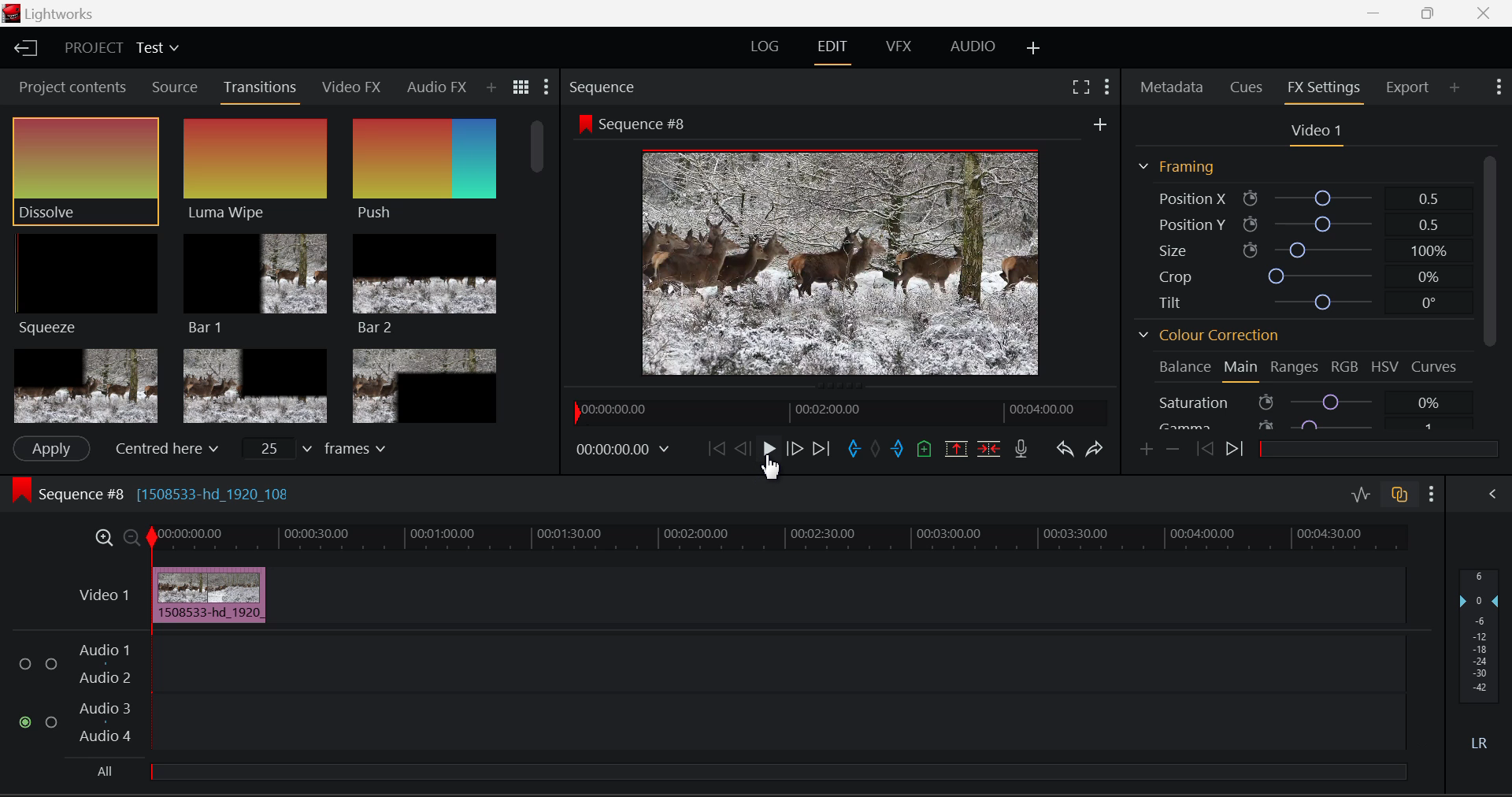  I want to click on Ranges, so click(1295, 369).